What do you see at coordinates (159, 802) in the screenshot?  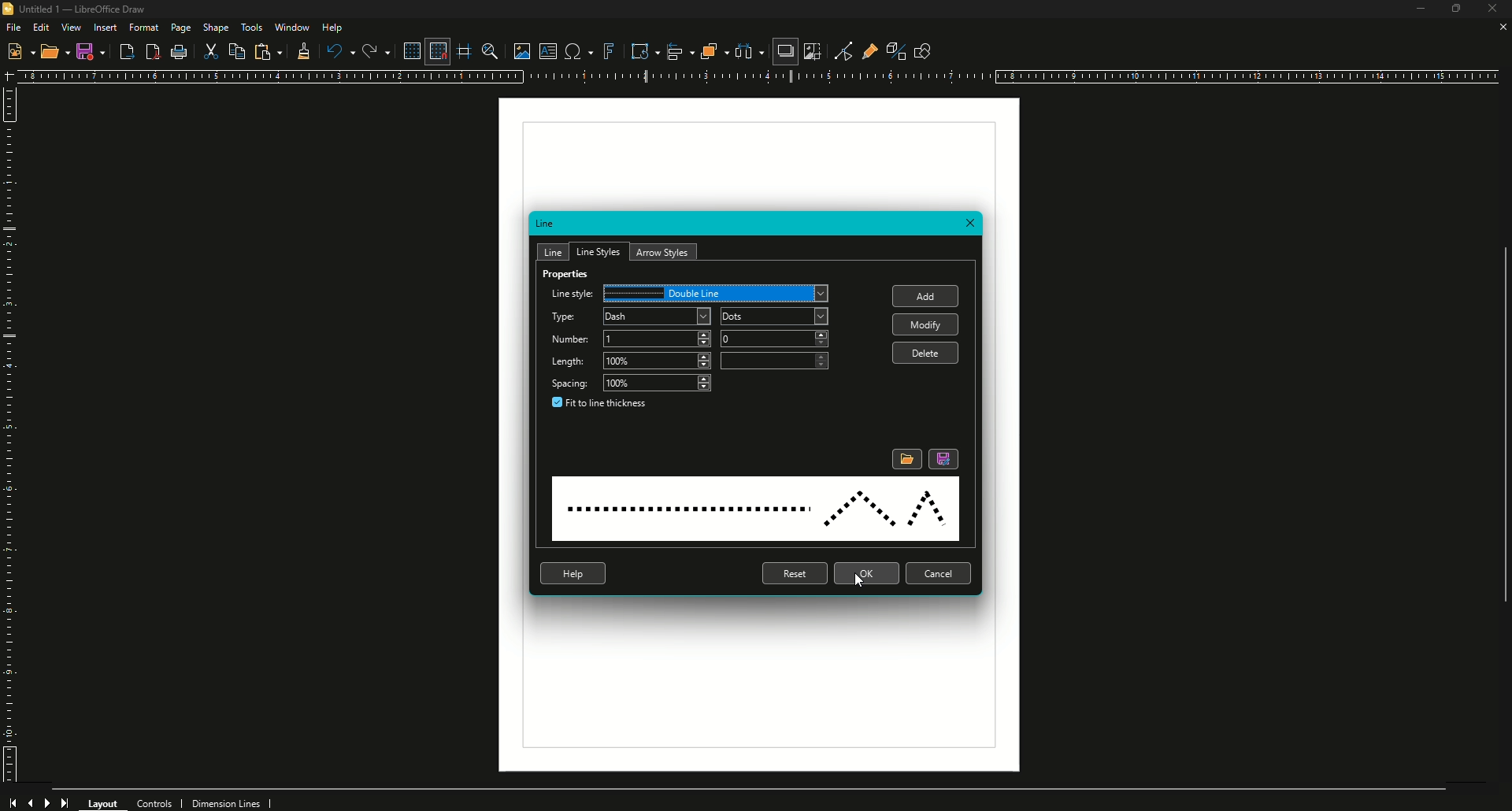 I see `Controls` at bounding box center [159, 802].